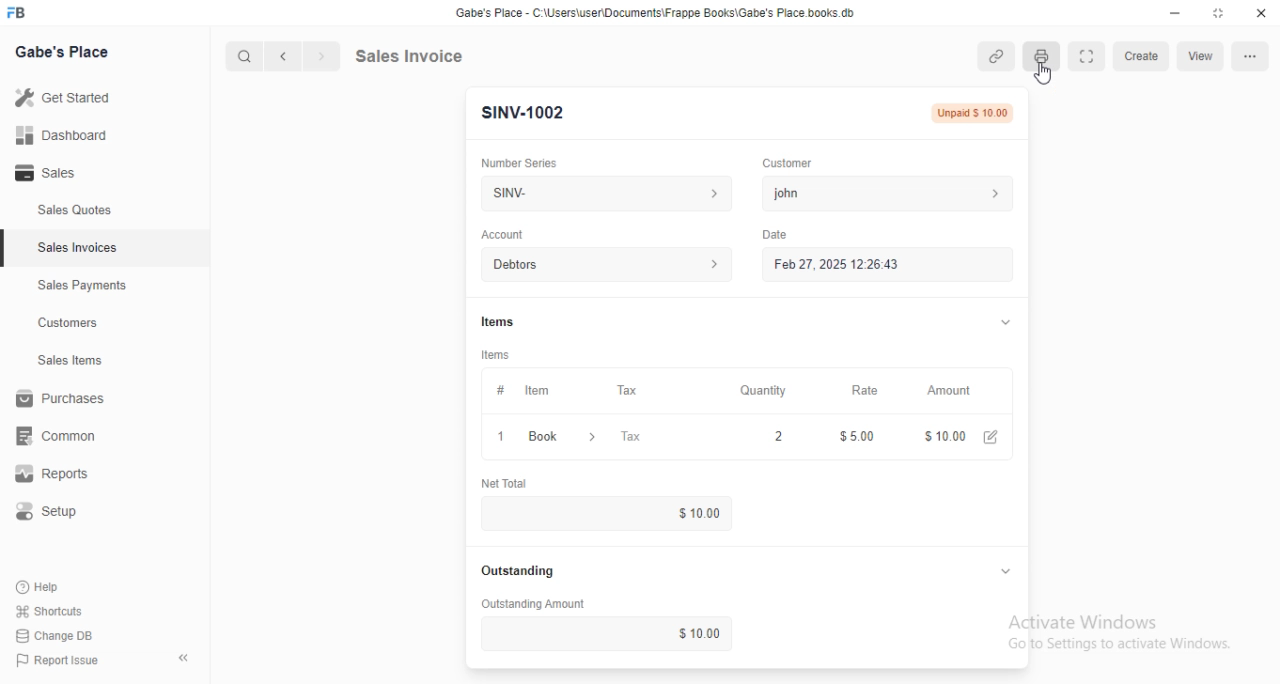 The width and height of the screenshot is (1280, 684). What do you see at coordinates (885, 264) in the screenshot?
I see `feb 27, 2025 12:26:43` at bounding box center [885, 264].